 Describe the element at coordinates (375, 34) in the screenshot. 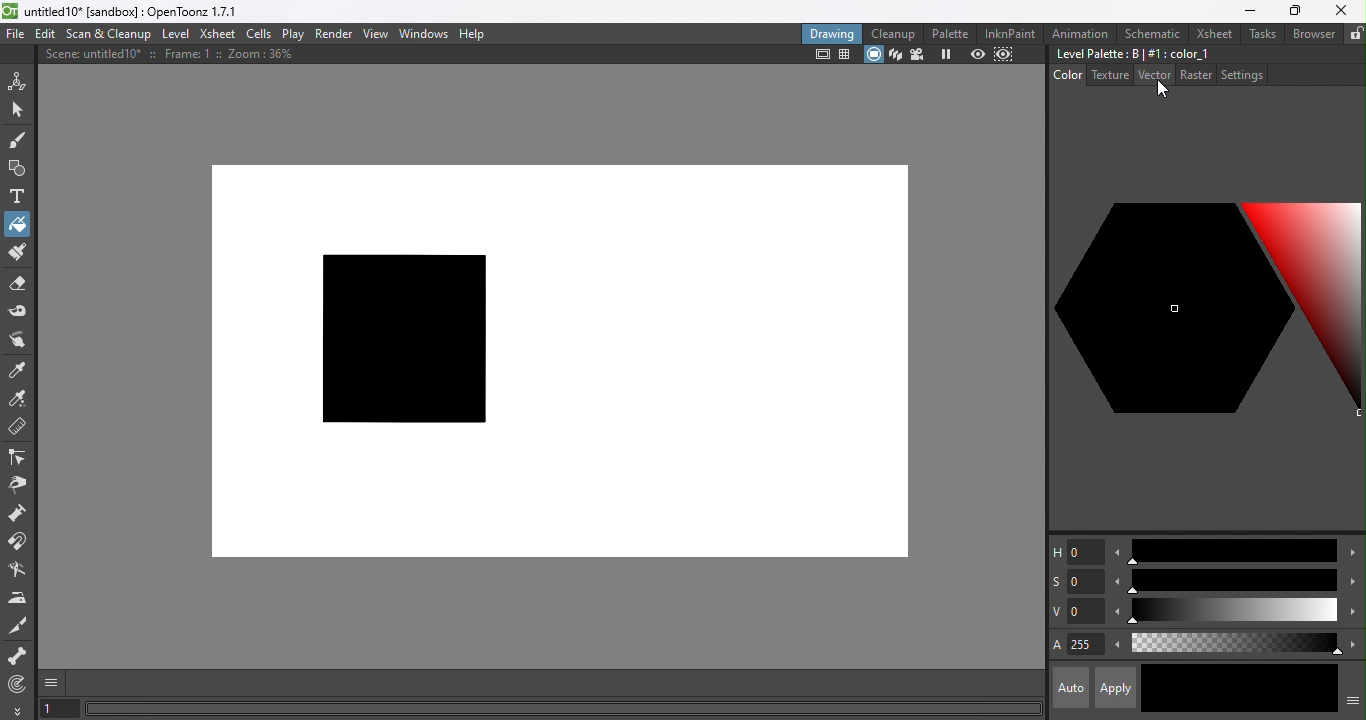

I see `View` at that location.